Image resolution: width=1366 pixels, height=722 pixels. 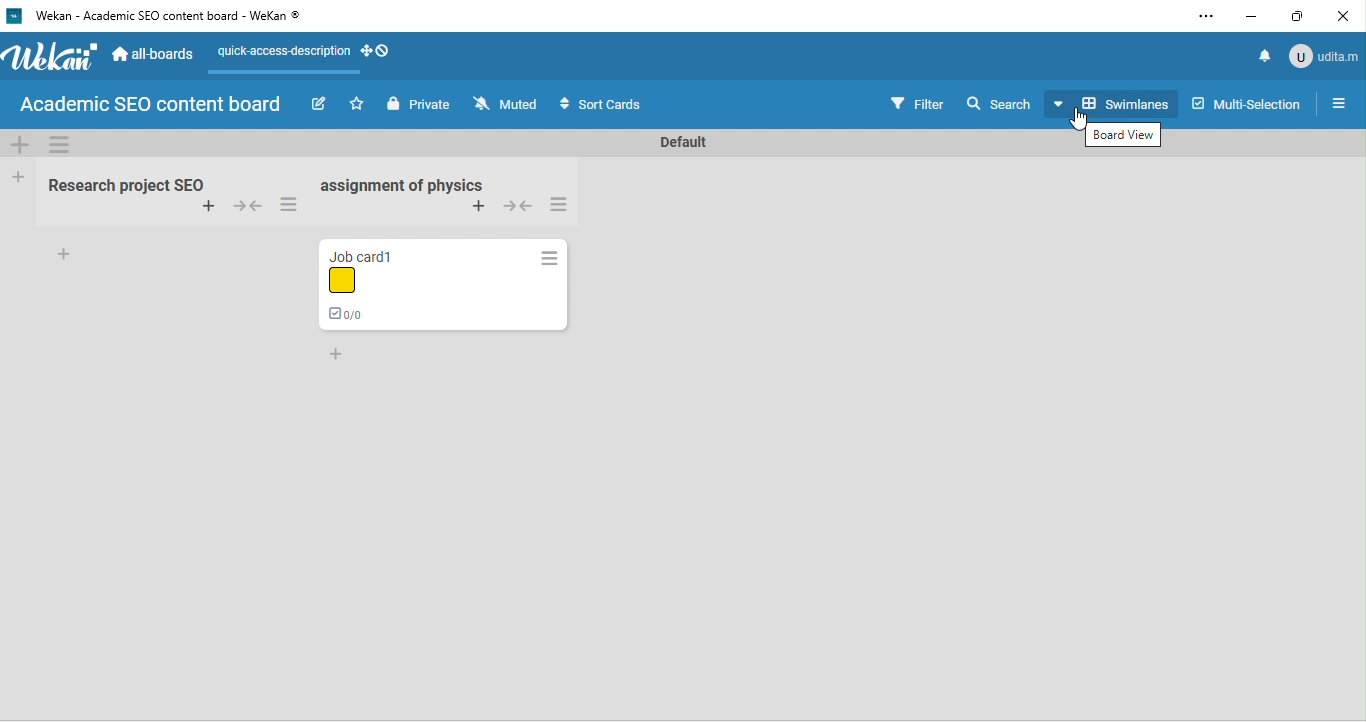 I want to click on click to star this board, so click(x=357, y=104).